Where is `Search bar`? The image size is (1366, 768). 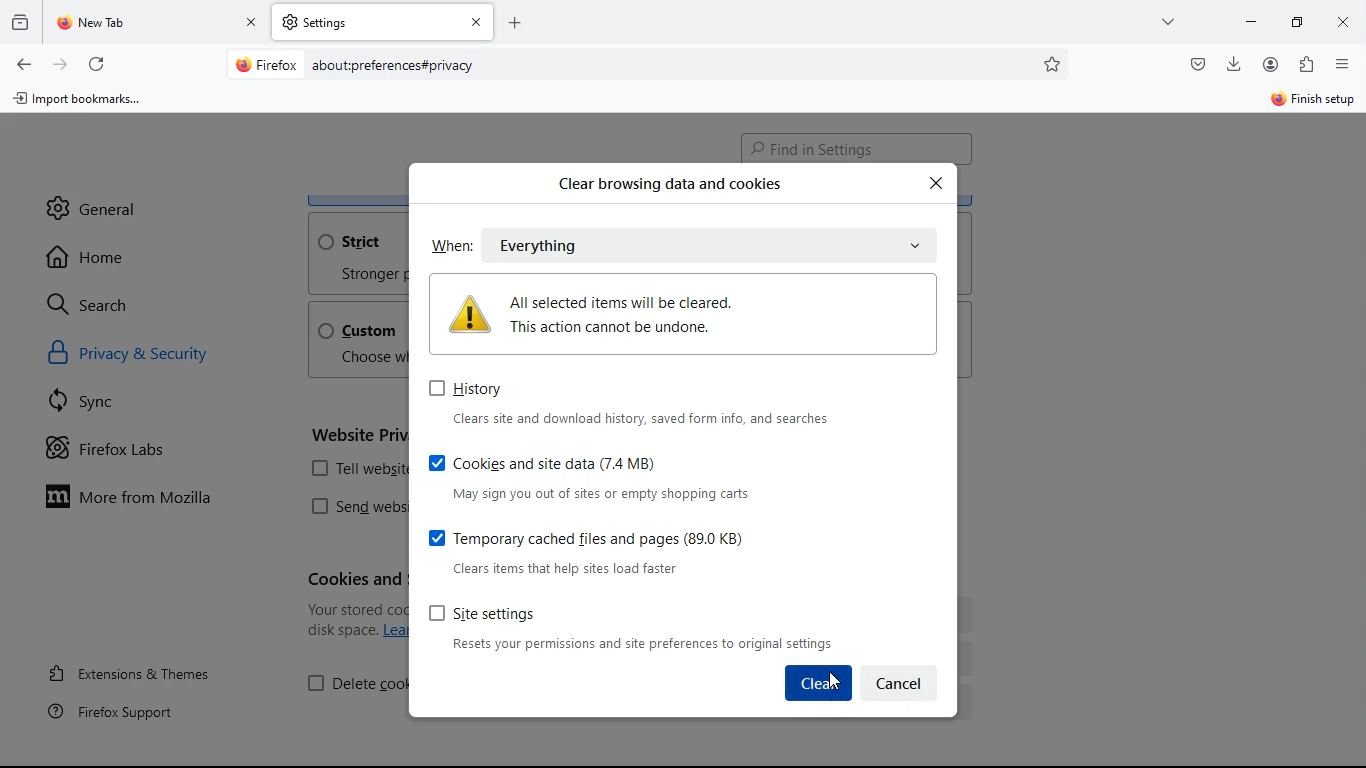
Search bar is located at coordinates (644, 66).